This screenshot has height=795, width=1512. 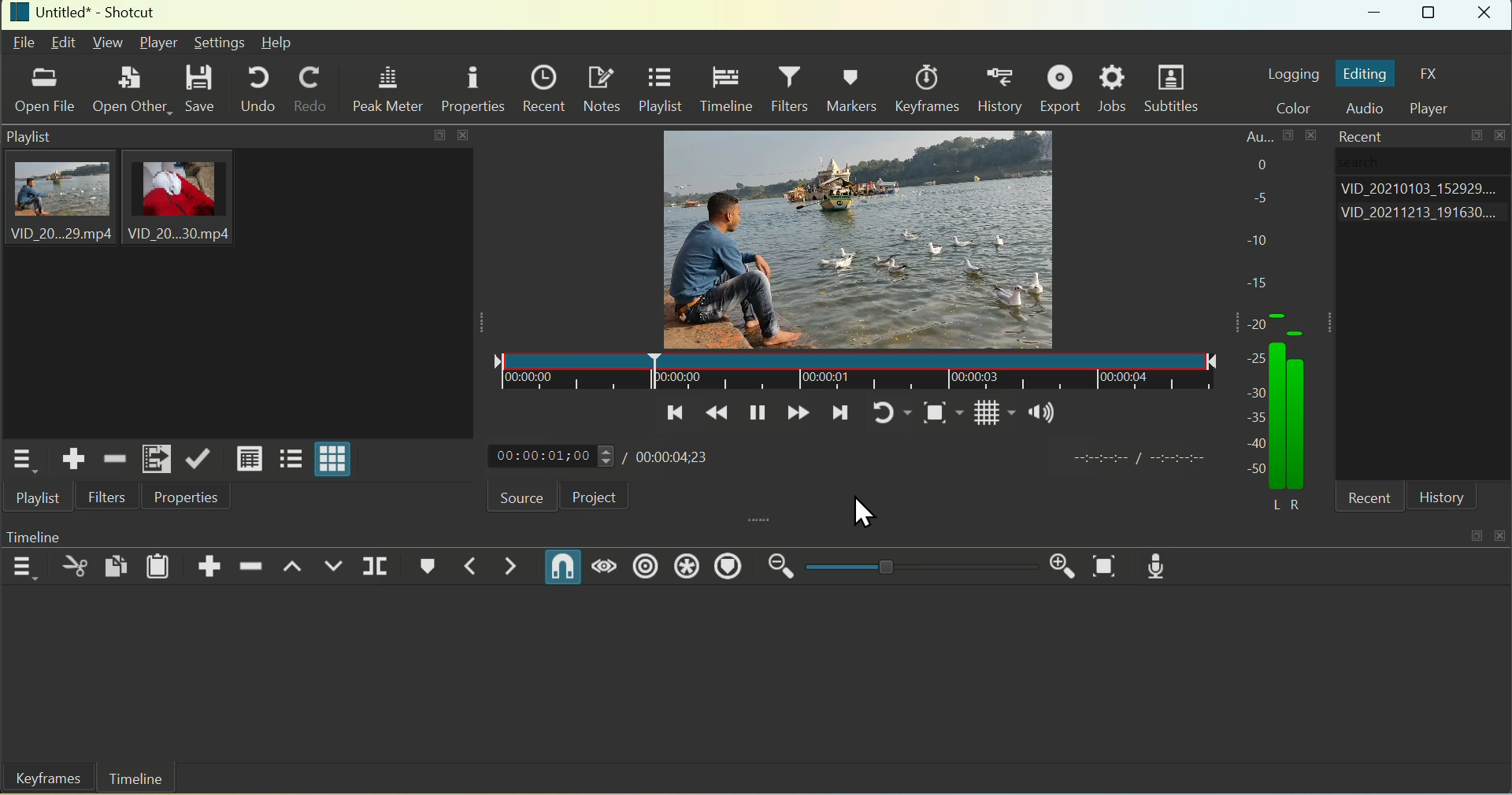 What do you see at coordinates (1503, 532) in the screenshot?
I see `close` at bounding box center [1503, 532].